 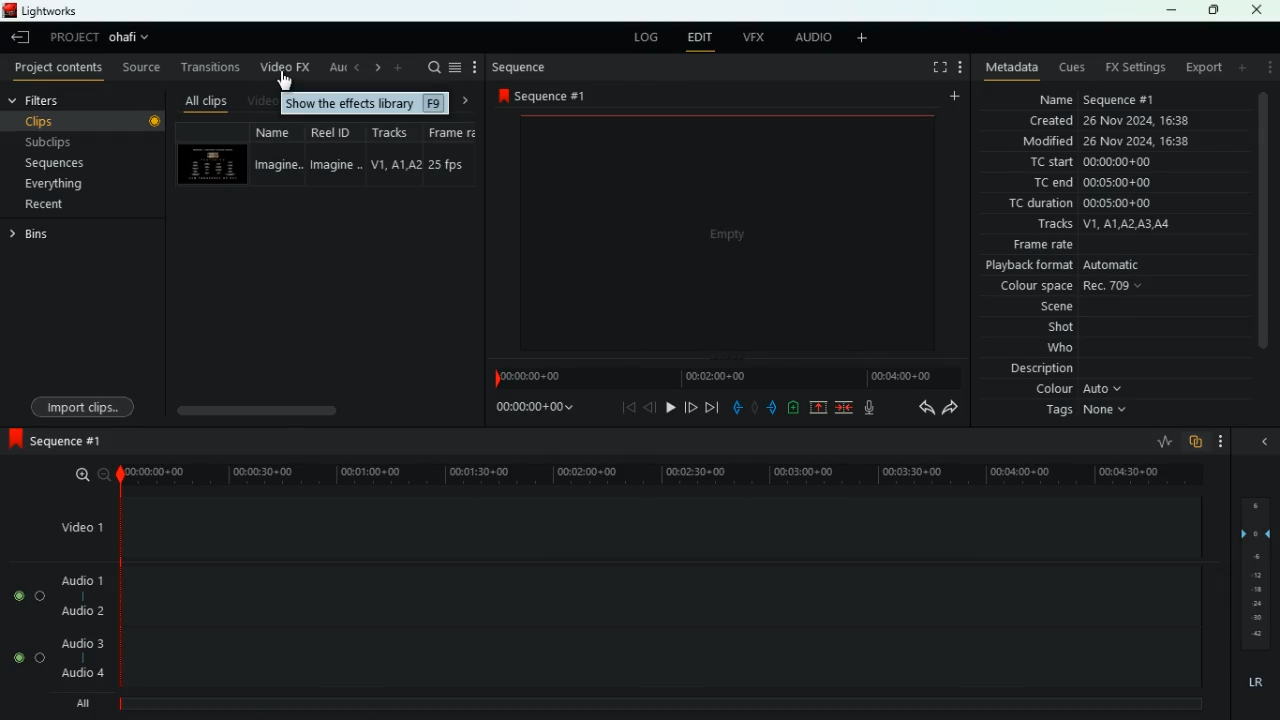 I want to click on rewind, so click(x=649, y=408).